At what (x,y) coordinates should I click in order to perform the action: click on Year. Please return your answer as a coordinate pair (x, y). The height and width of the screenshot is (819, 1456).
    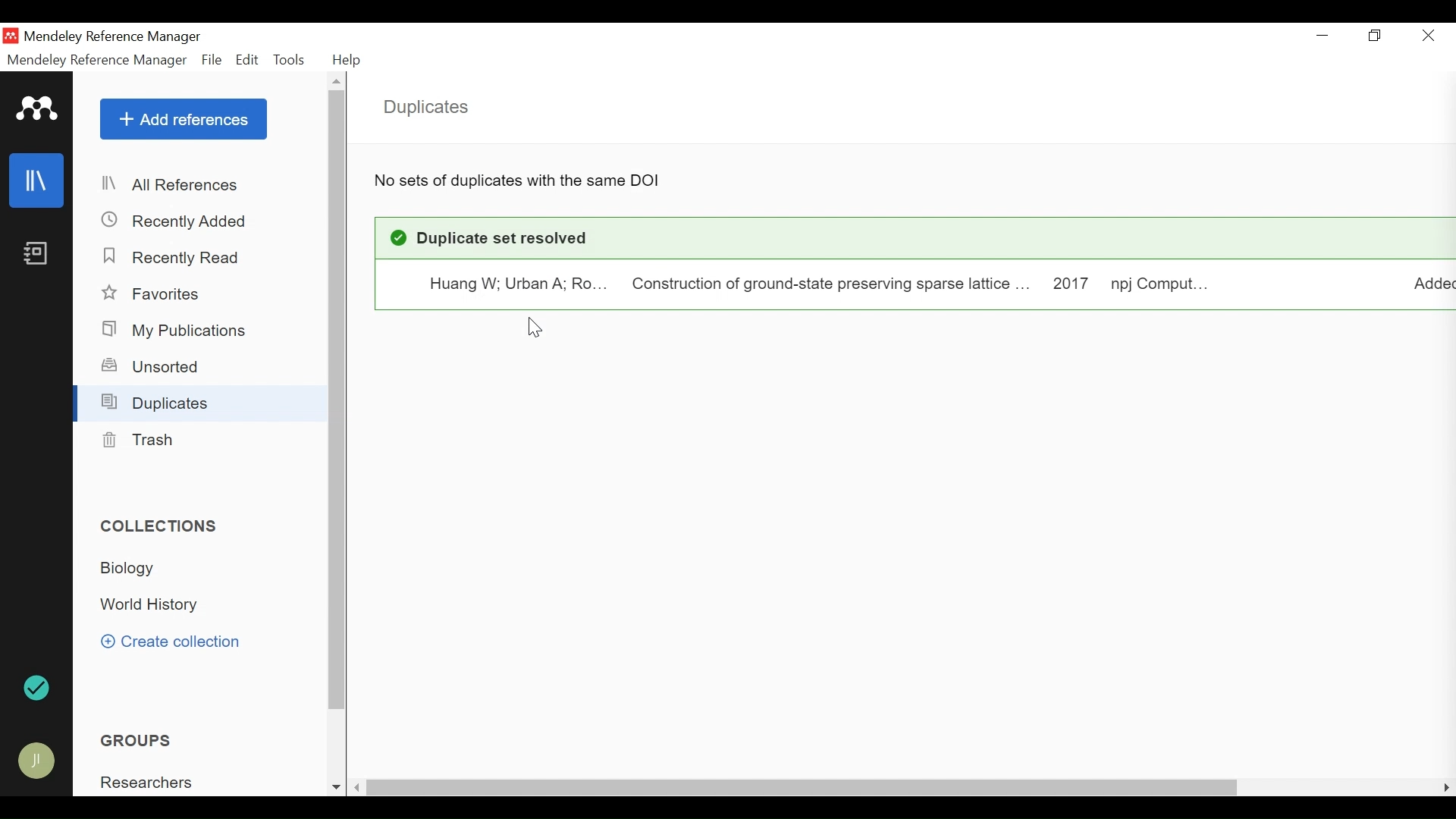
    Looking at the image, I should click on (1068, 285).